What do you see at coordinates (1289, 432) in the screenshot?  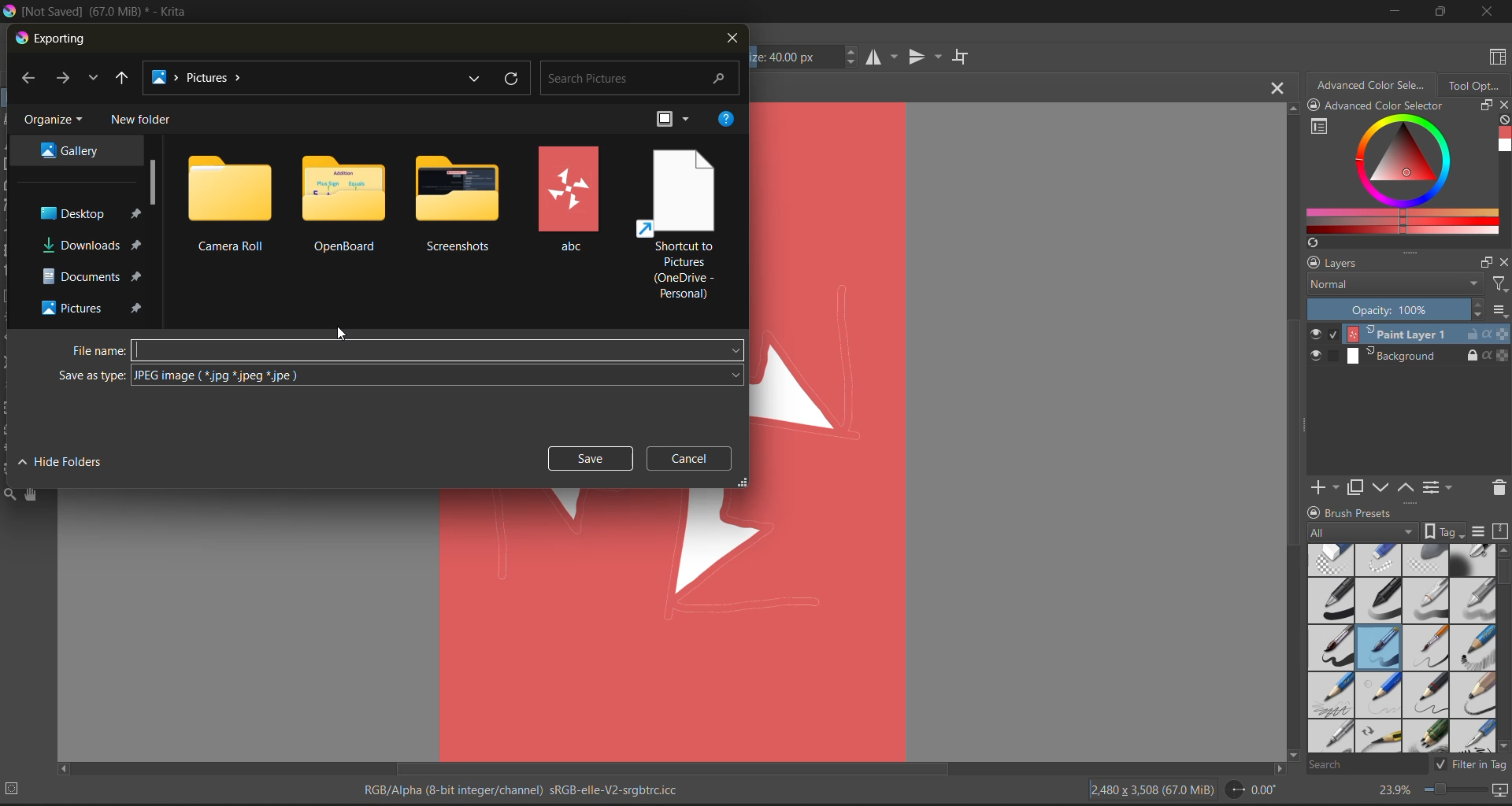 I see `vertical scroll bar` at bounding box center [1289, 432].